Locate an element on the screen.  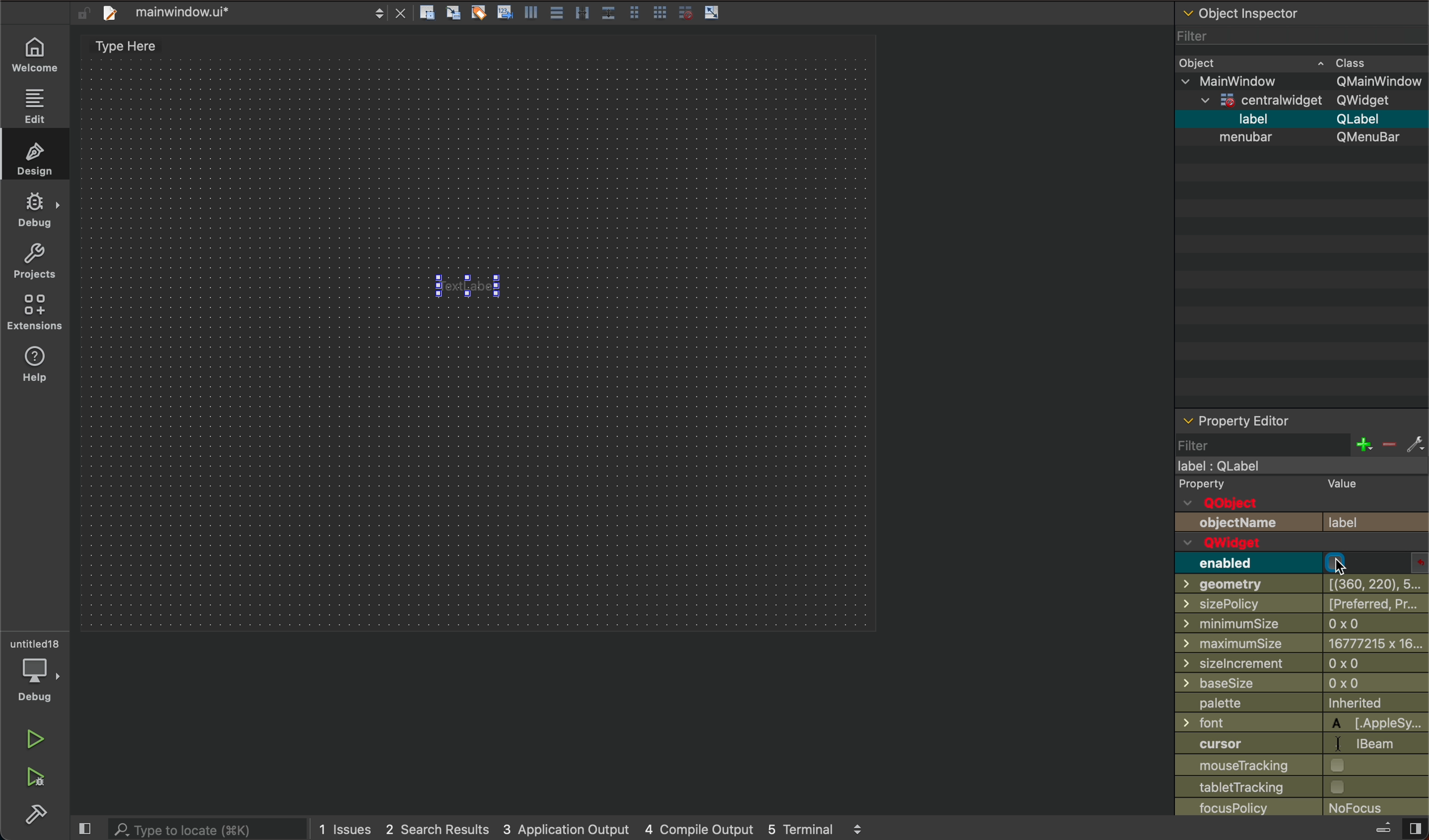
edit is located at coordinates (38, 108).